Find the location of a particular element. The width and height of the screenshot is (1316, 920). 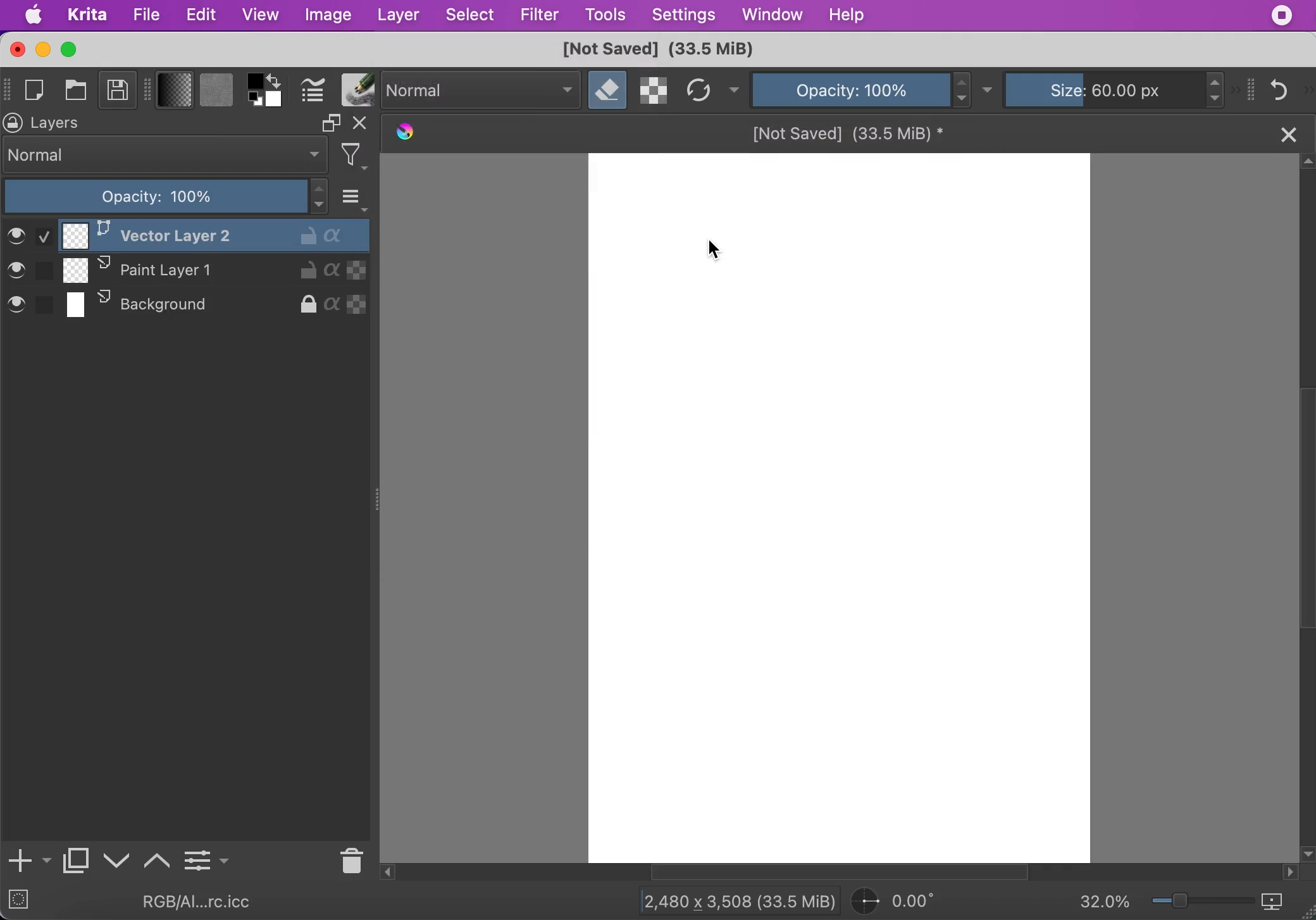

image is located at coordinates (327, 16).